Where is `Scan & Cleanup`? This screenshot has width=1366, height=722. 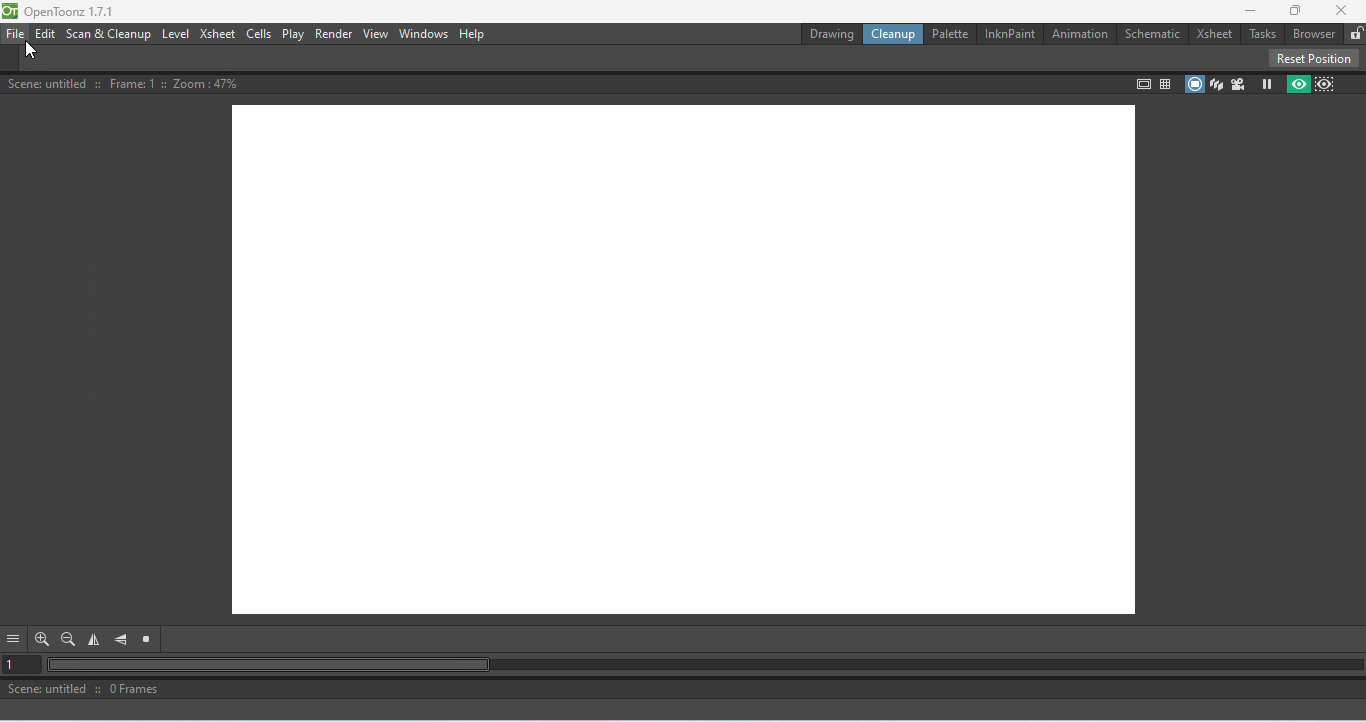
Scan & Cleanup is located at coordinates (109, 34).